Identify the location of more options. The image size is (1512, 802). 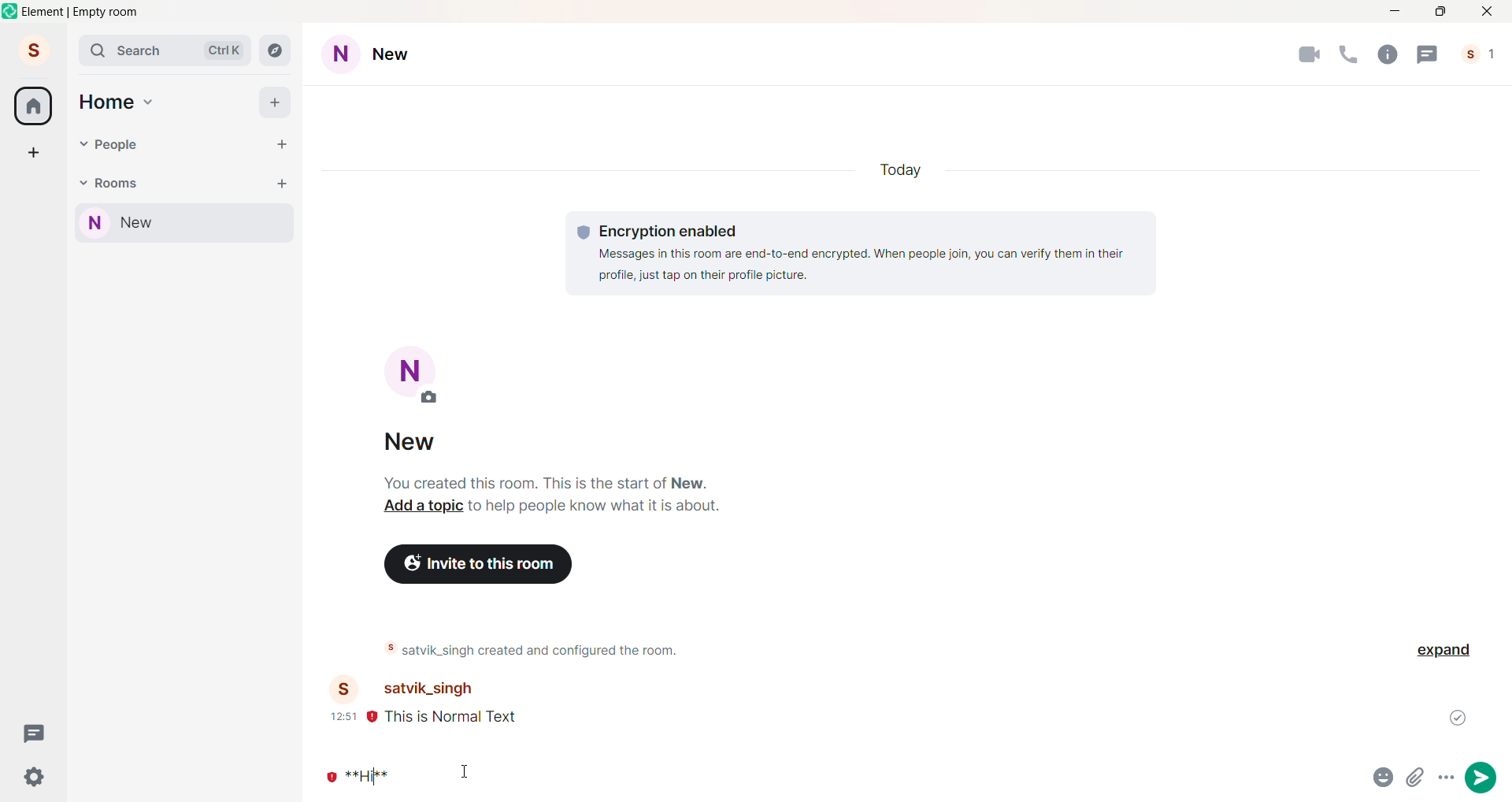
(1447, 778).